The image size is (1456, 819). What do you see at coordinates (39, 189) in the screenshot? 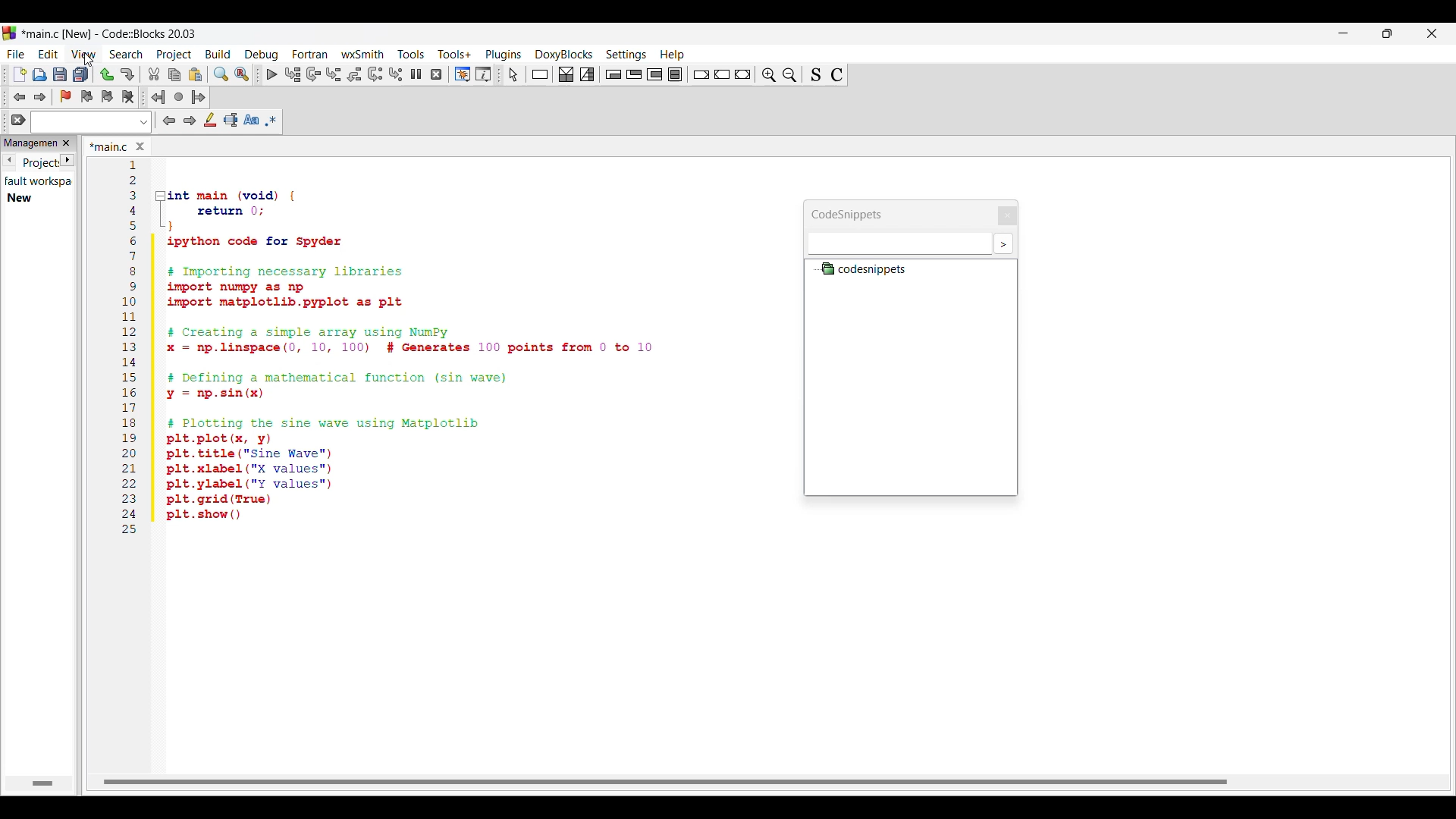
I see `Details of current tab` at bounding box center [39, 189].